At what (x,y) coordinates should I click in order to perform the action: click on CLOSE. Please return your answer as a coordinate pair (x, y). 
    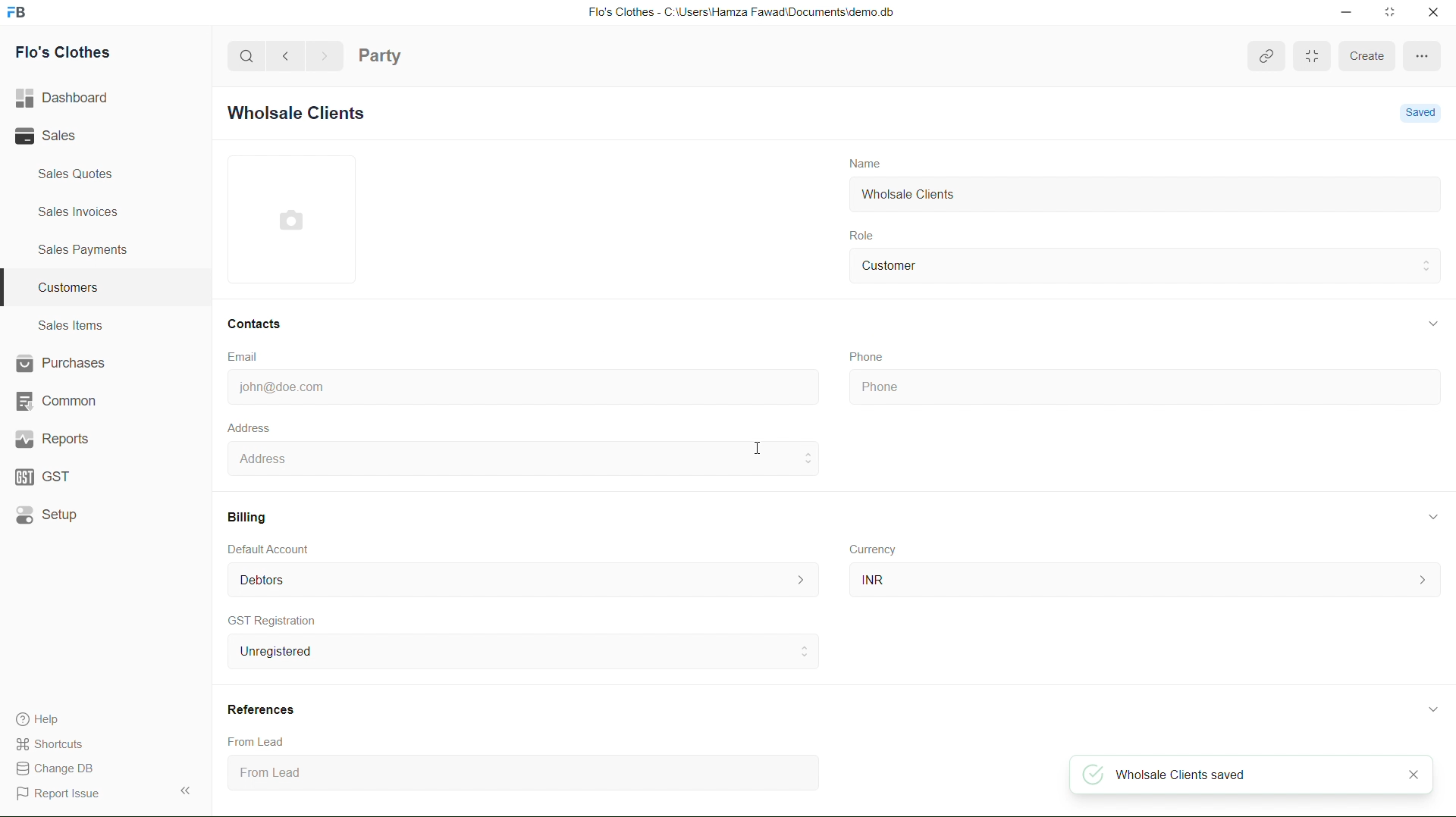
    Looking at the image, I should click on (1394, 775).